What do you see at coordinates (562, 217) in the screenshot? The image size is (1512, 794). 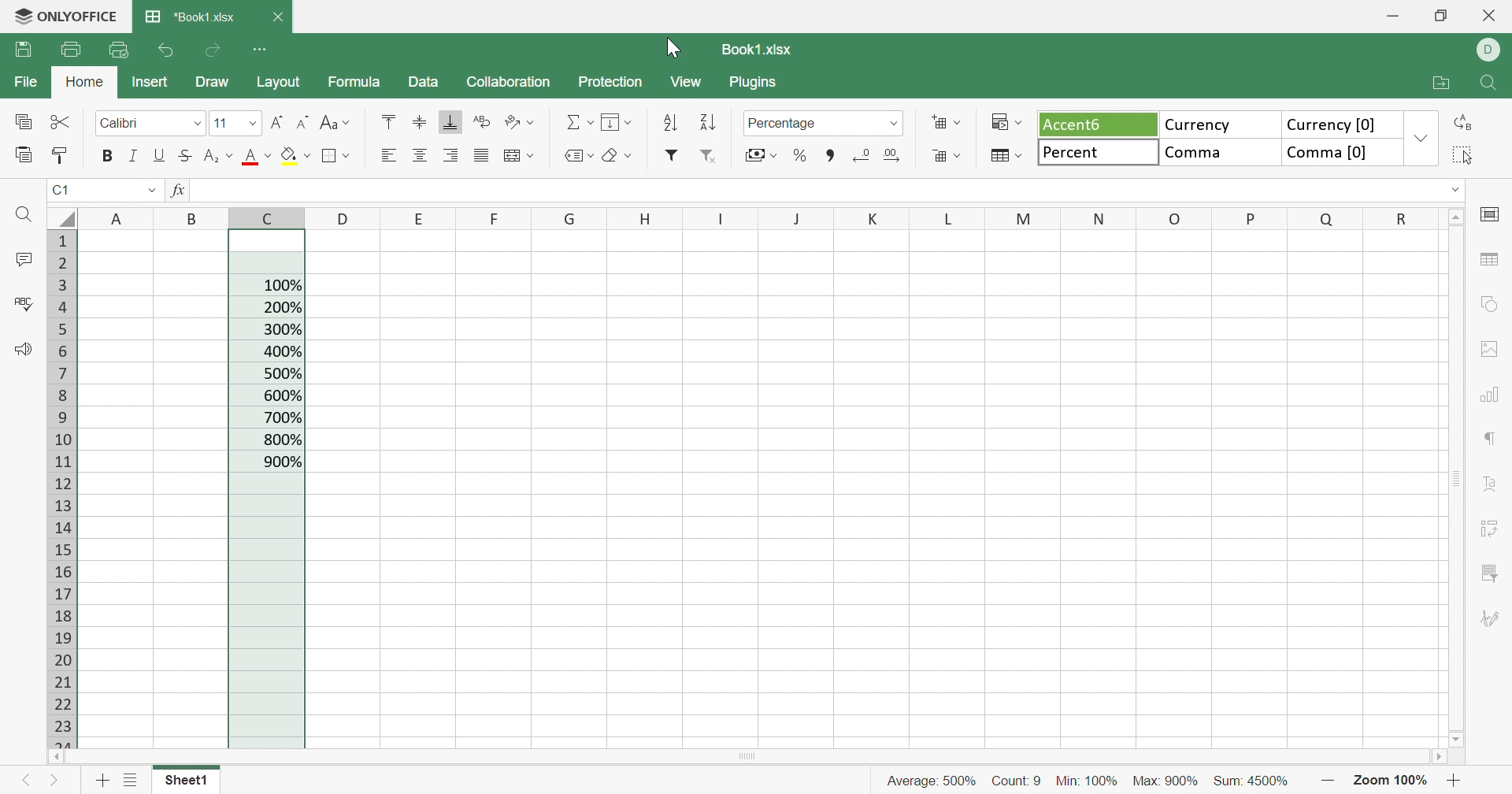 I see `G` at bounding box center [562, 217].